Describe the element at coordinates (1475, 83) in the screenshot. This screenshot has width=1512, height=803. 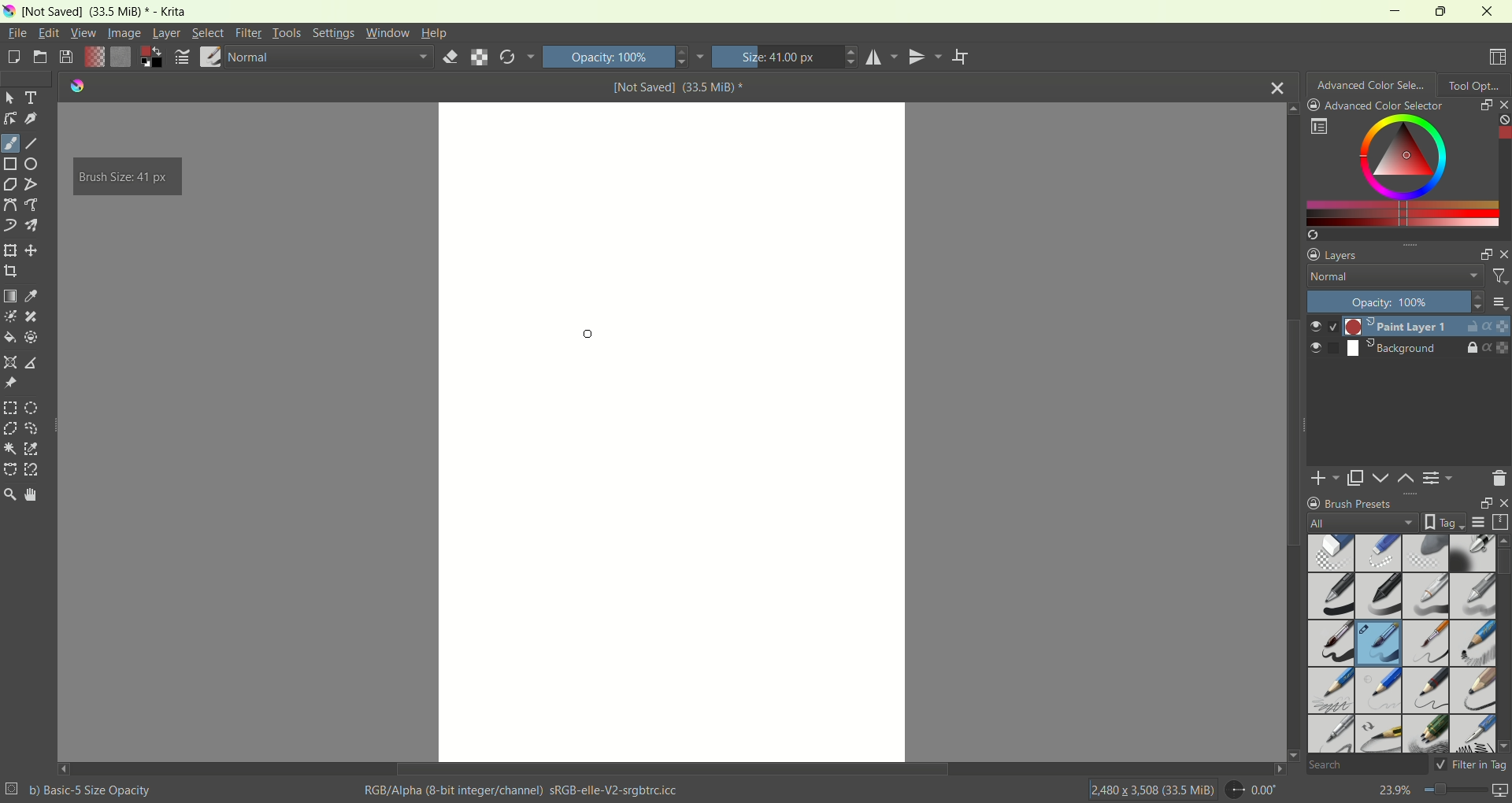
I see `tool option` at that location.